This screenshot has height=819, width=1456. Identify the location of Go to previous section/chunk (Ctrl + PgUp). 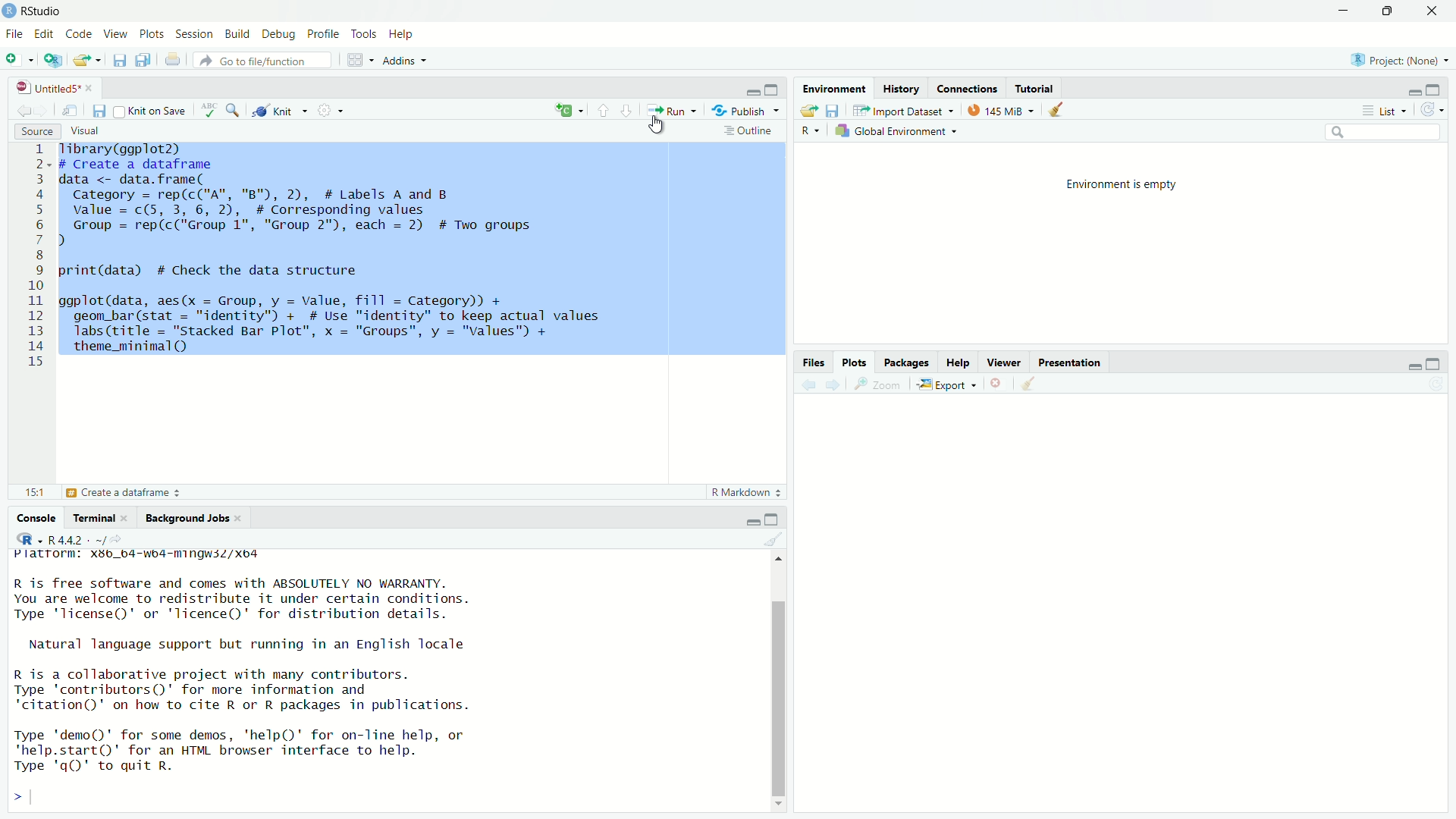
(600, 108).